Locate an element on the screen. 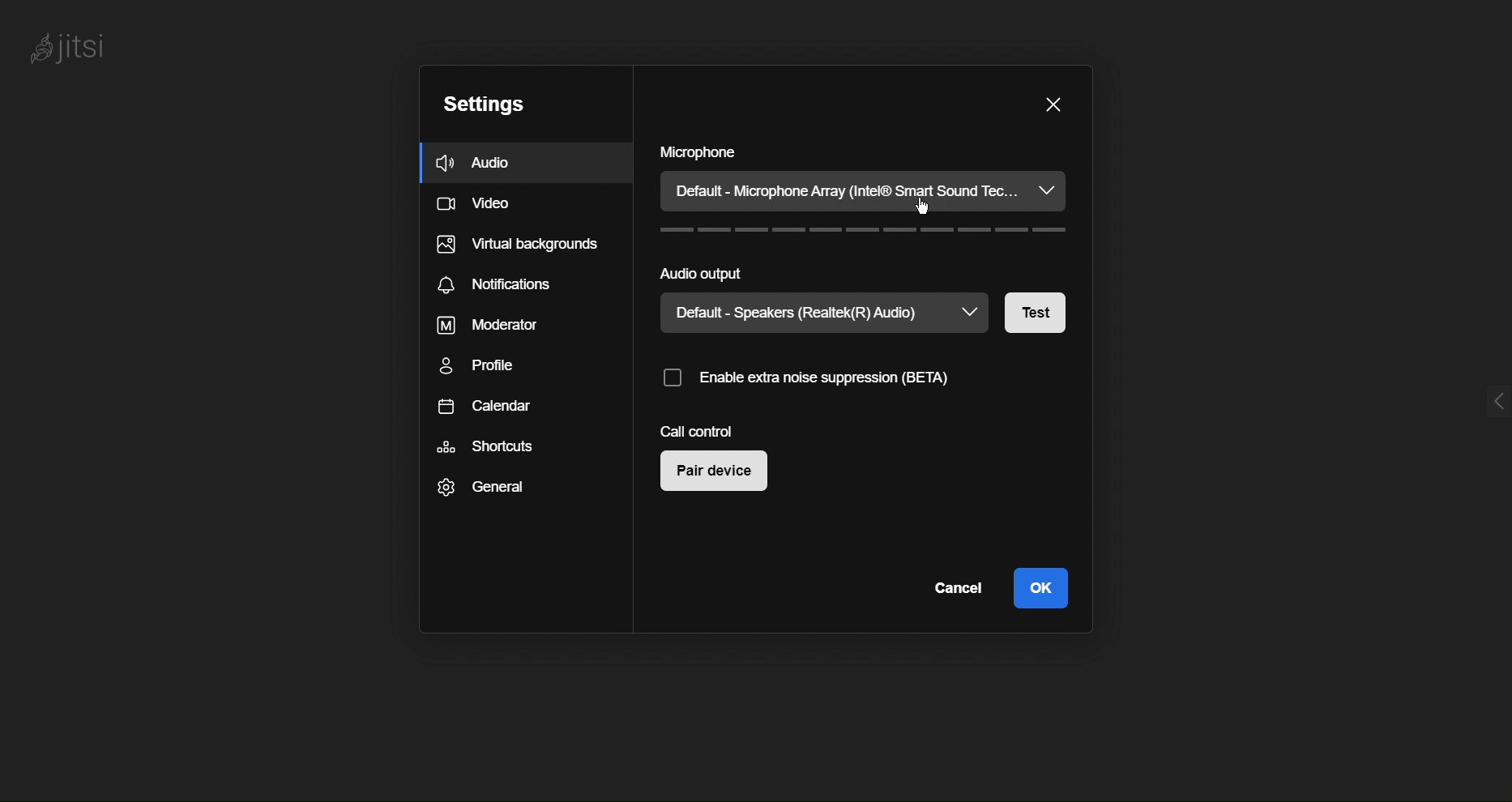 This screenshot has height=802, width=1512. Microphone is located at coordinates (864, 149).